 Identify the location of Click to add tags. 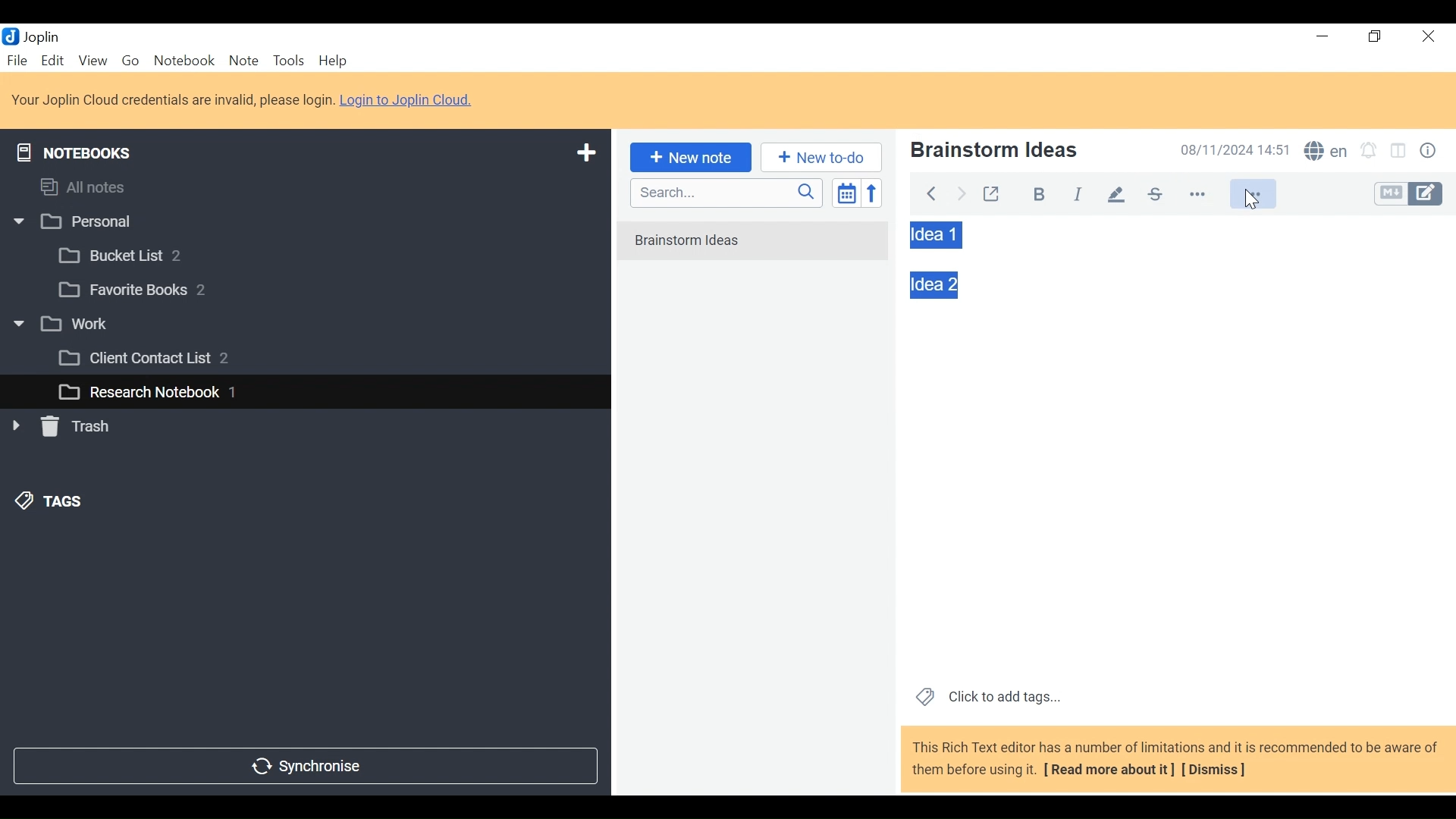
(985, 695).